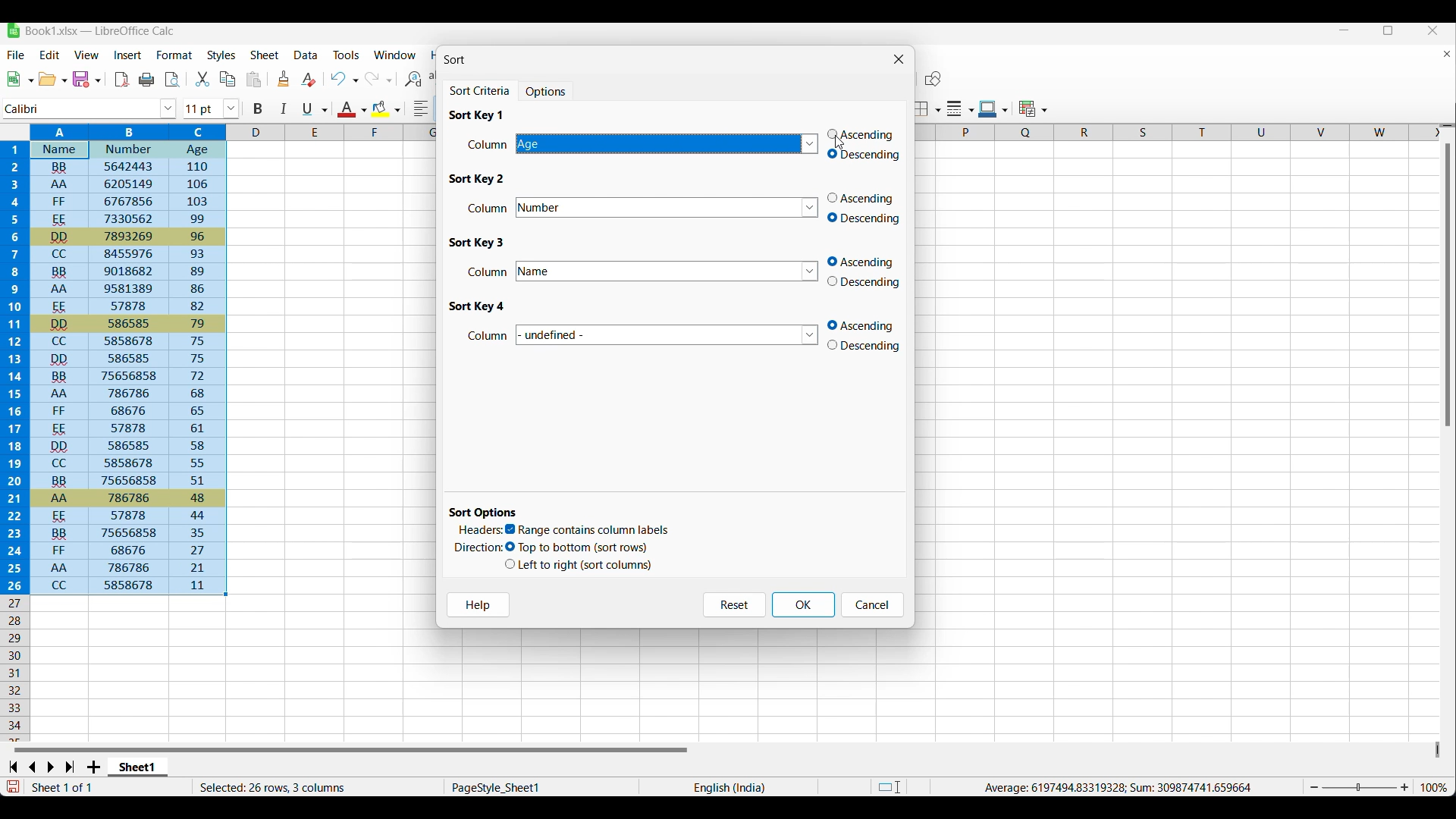 This screenshot has width=1456, height=819. Describe the element at coordinates (1033, 108) in the screenshot. I see `Conditional formating options` at that location.